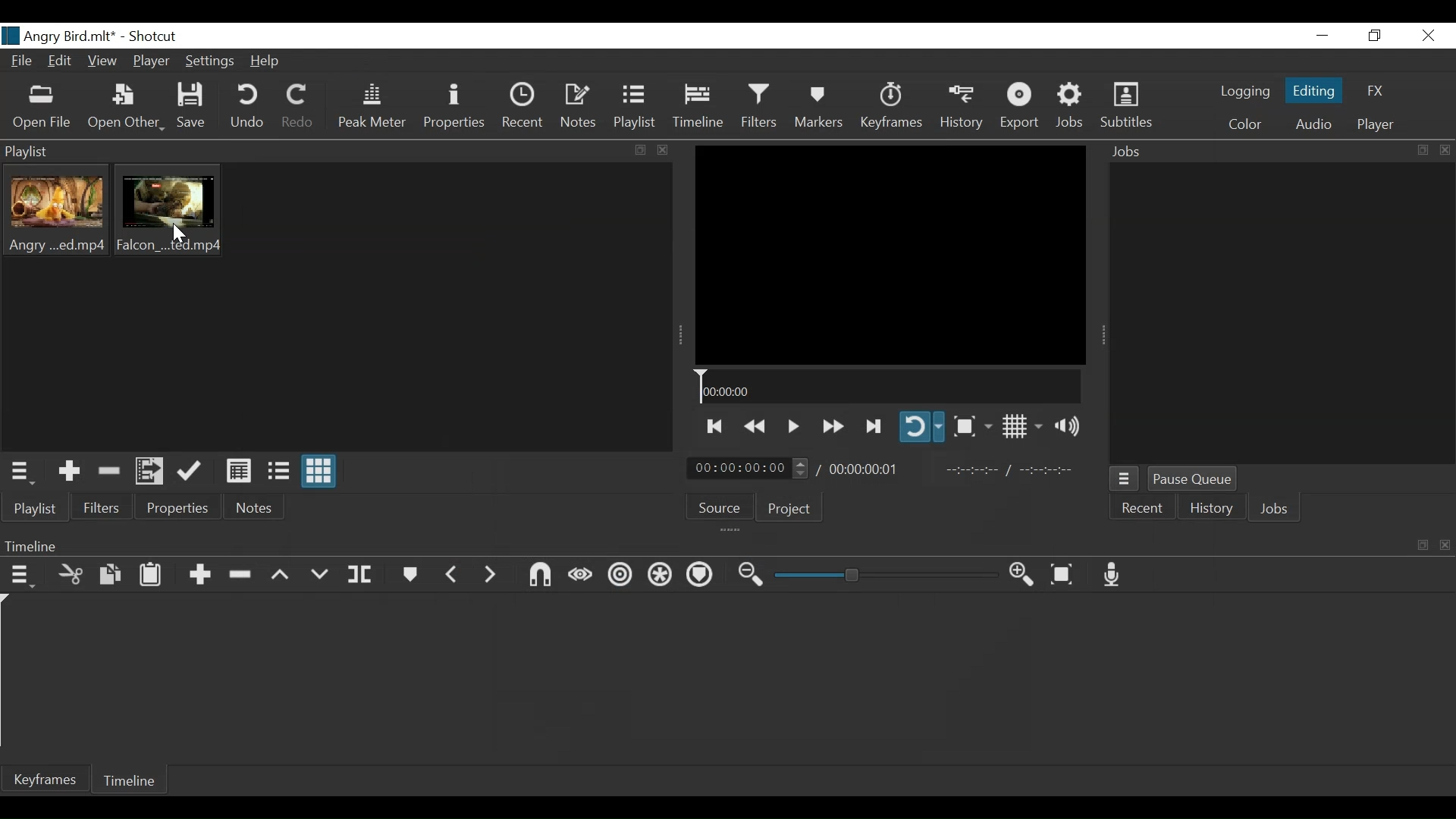 The height and width of the screenshot is (819, 1456). Describe the element at coordinates (623, 577) in the screenshot. I see `Ripple` at that location.